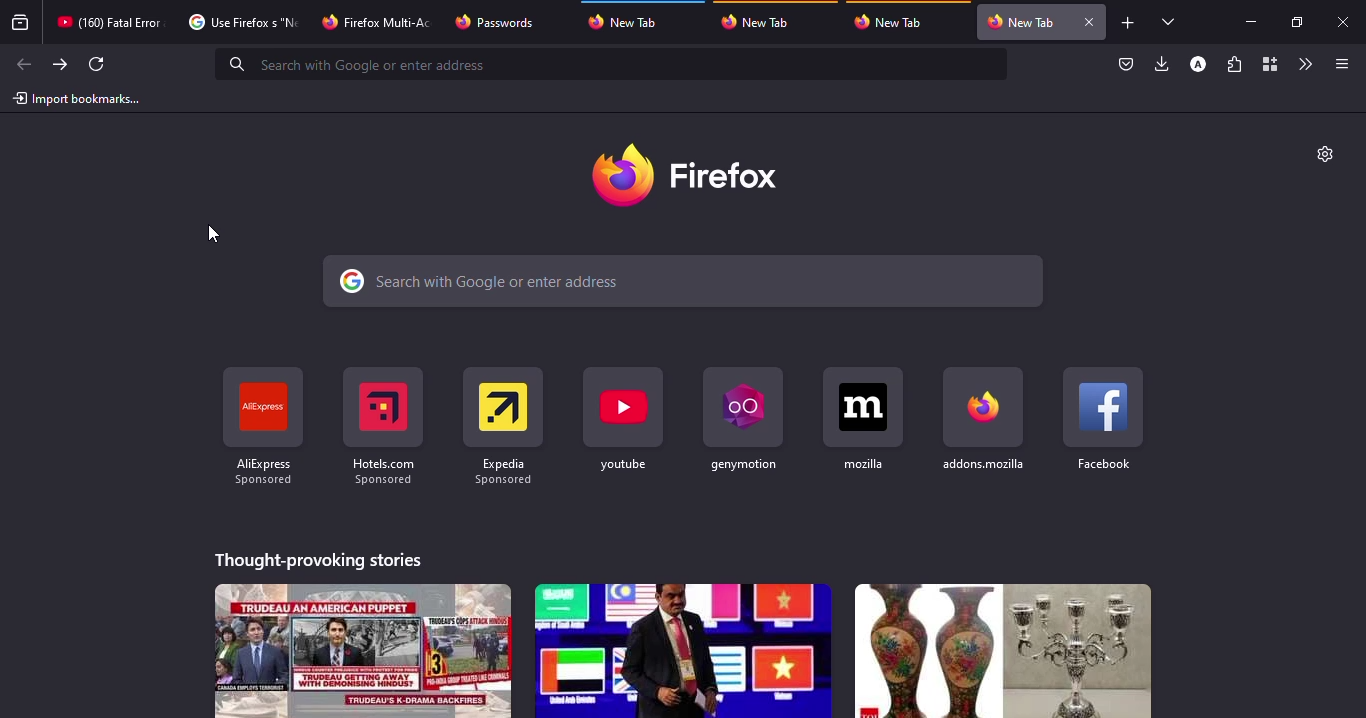 The height and width of the screenshot is (718, 1366). Describe the element at coordinates (1297, 24) in the screenshot. I see `maximize` at that location.